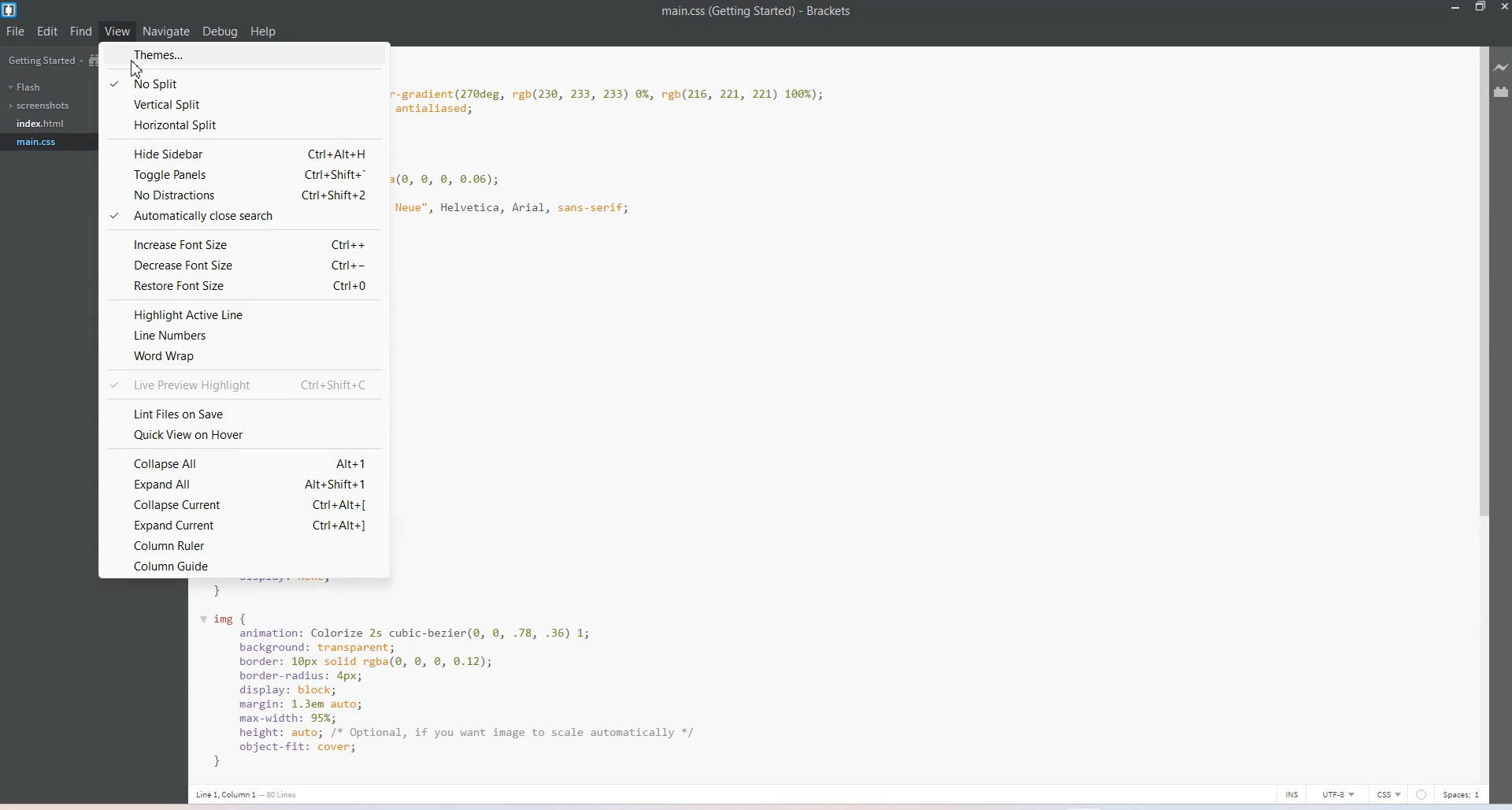 The height and width of the screenshot is (810, 1512). I want to click on Vertical scroll bar, so click(1480, 412).